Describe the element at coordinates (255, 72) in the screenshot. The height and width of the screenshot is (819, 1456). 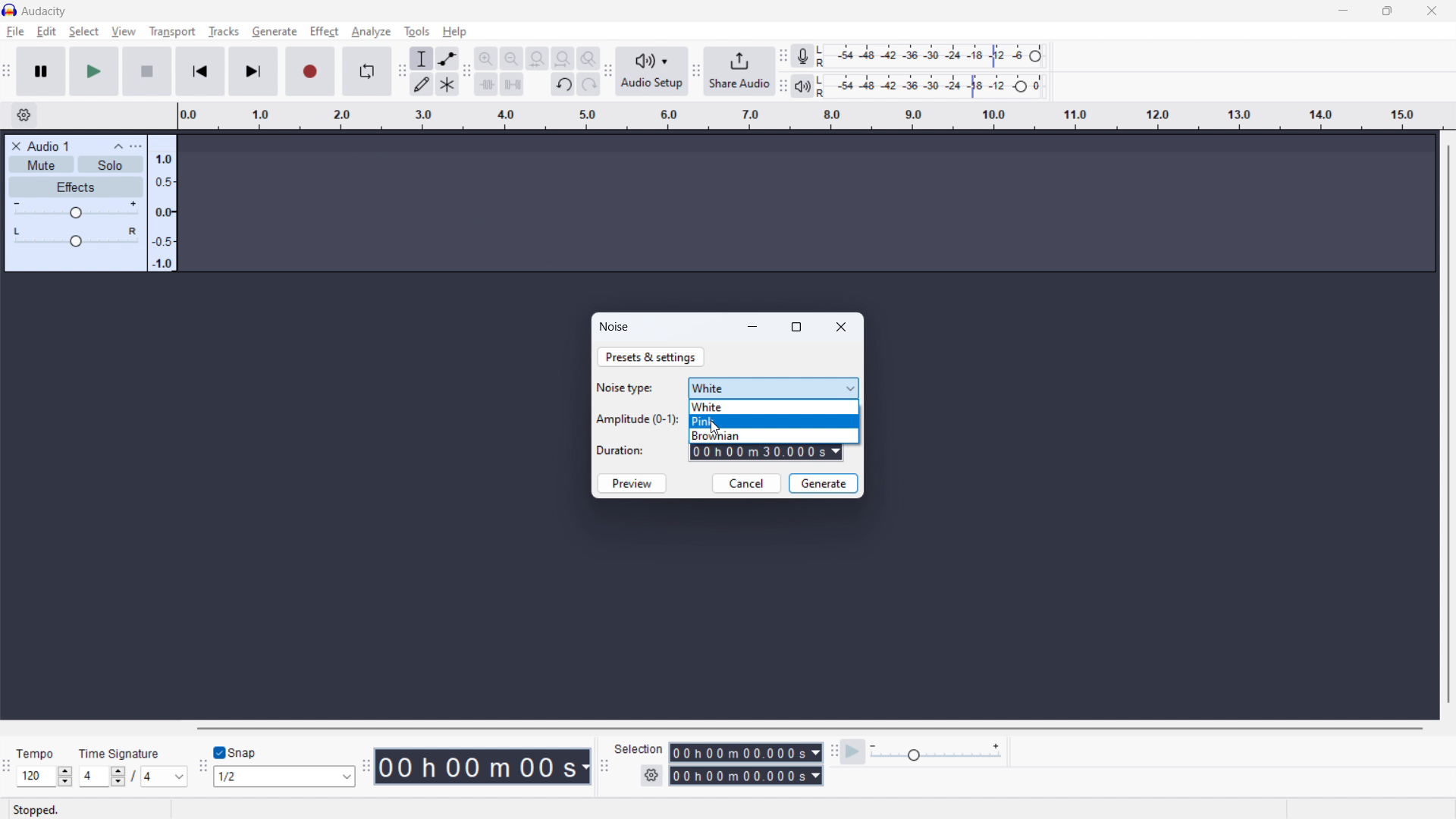
I see `skip to last` at that location.